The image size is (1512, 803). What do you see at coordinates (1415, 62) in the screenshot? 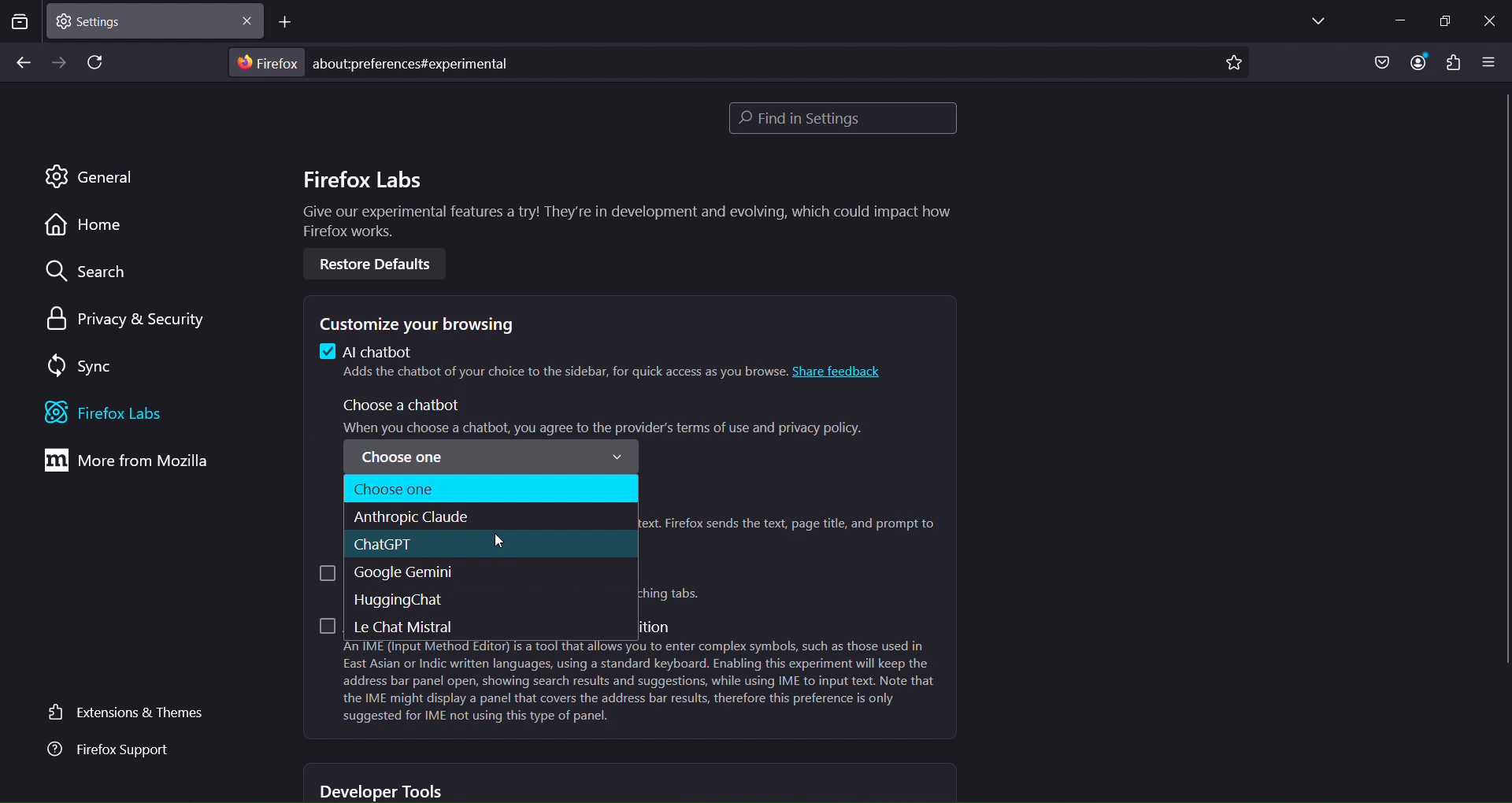
I see `account` at bounding box center [1415, 62].